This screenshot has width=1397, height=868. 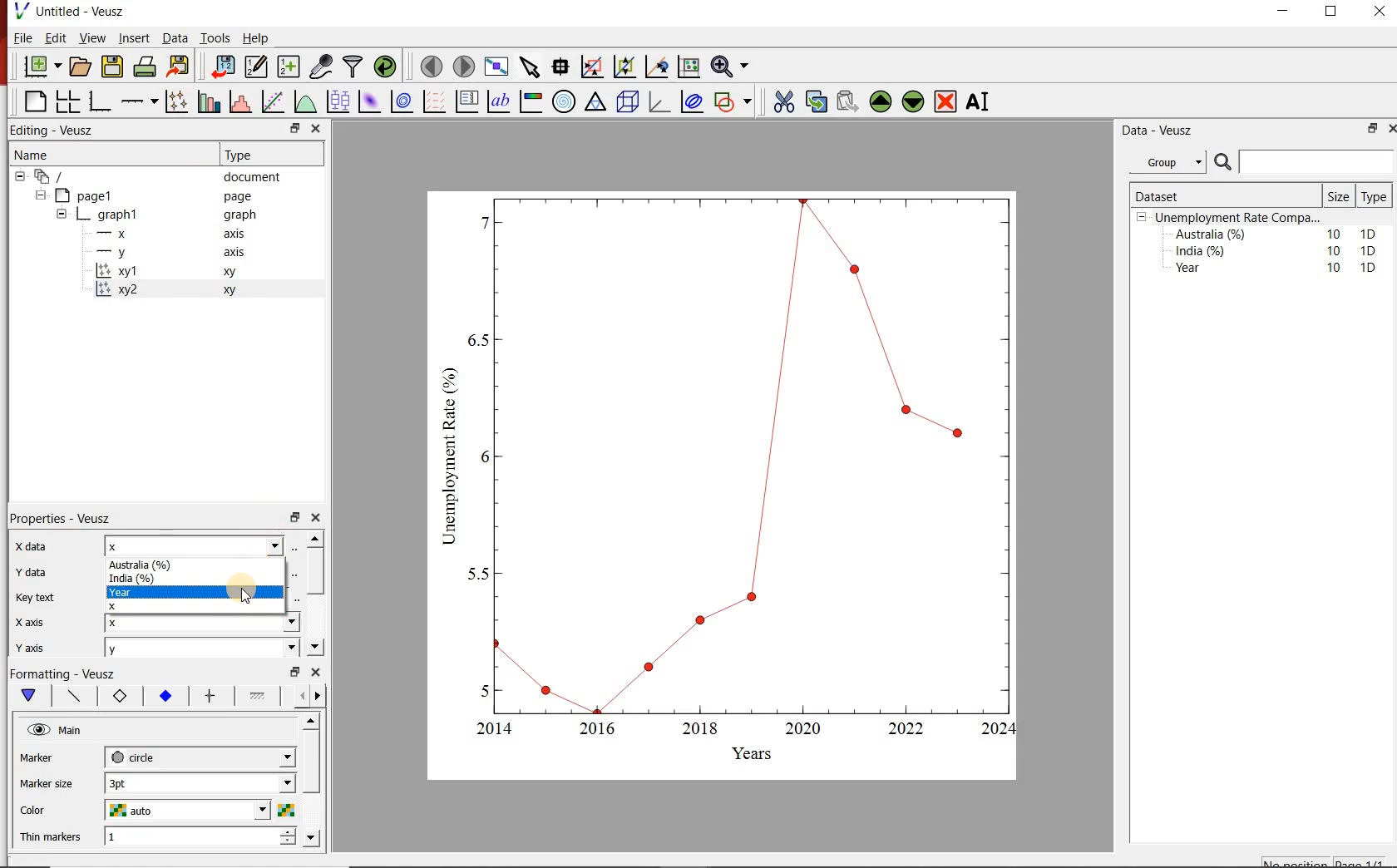 What do you see at coordinates (1170, 162) in the screenshot?
I see `Group` at bounding box center [1170, 162].